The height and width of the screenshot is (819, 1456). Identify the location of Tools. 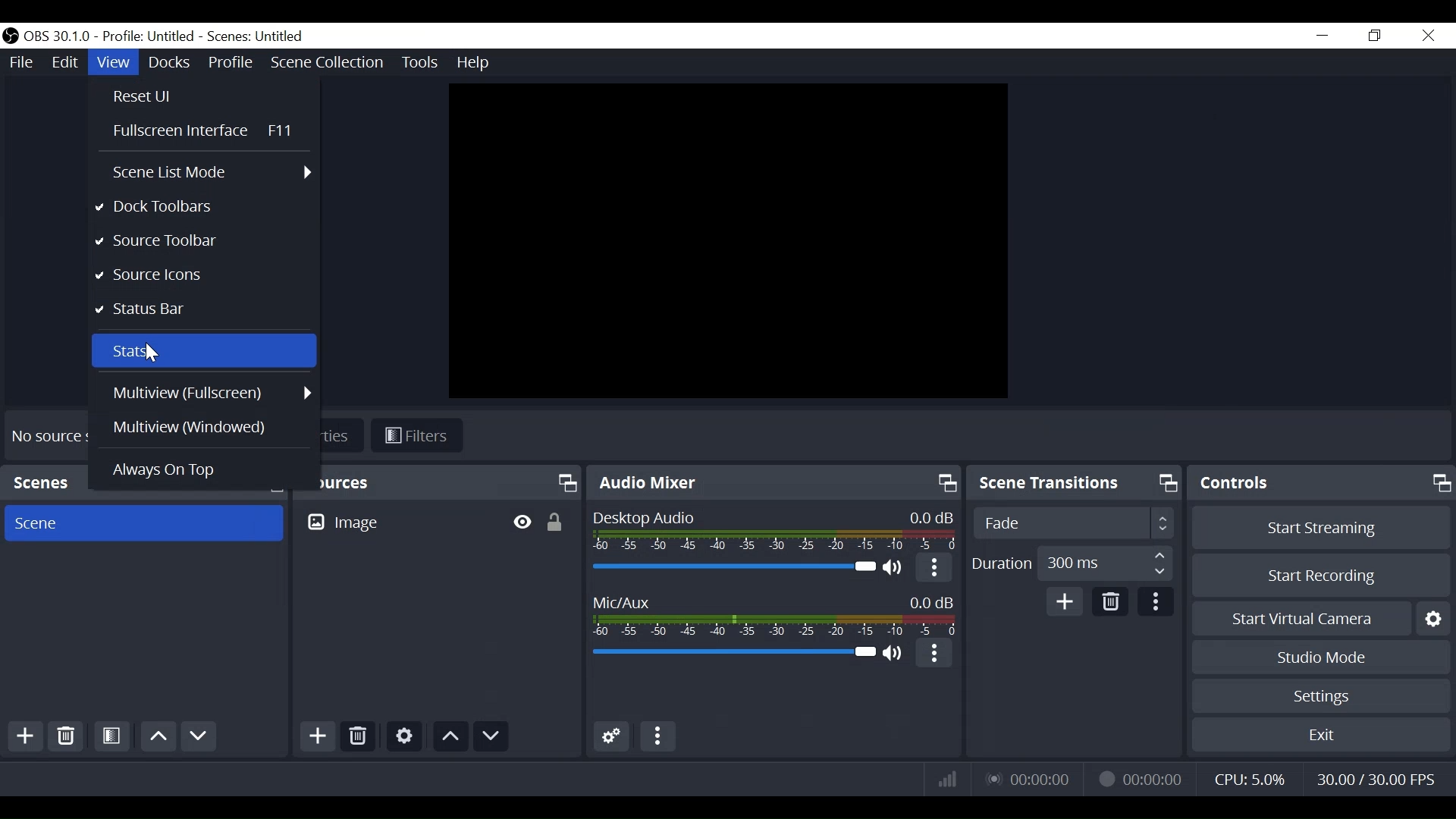
(418, 61).